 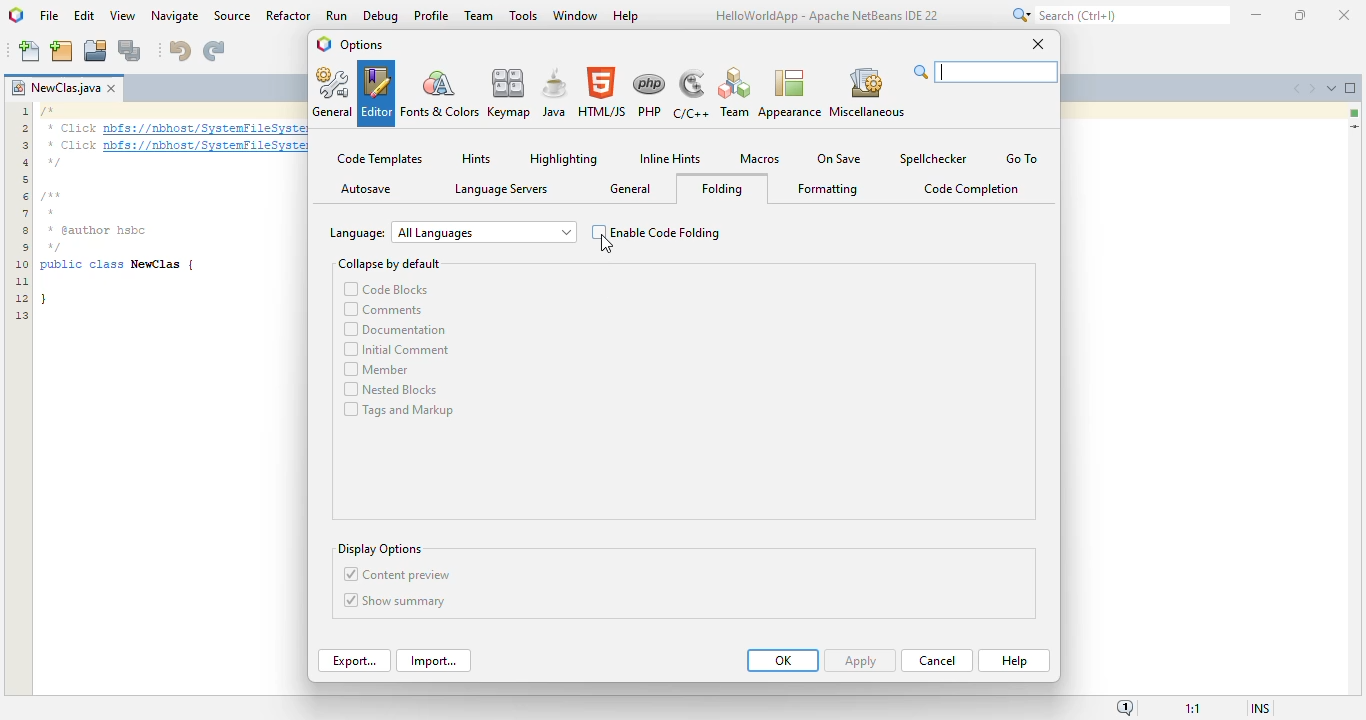 What do you see at coordinates (62, 50) in the screenshot?
I see `new project` at bounding box center [62, 50].